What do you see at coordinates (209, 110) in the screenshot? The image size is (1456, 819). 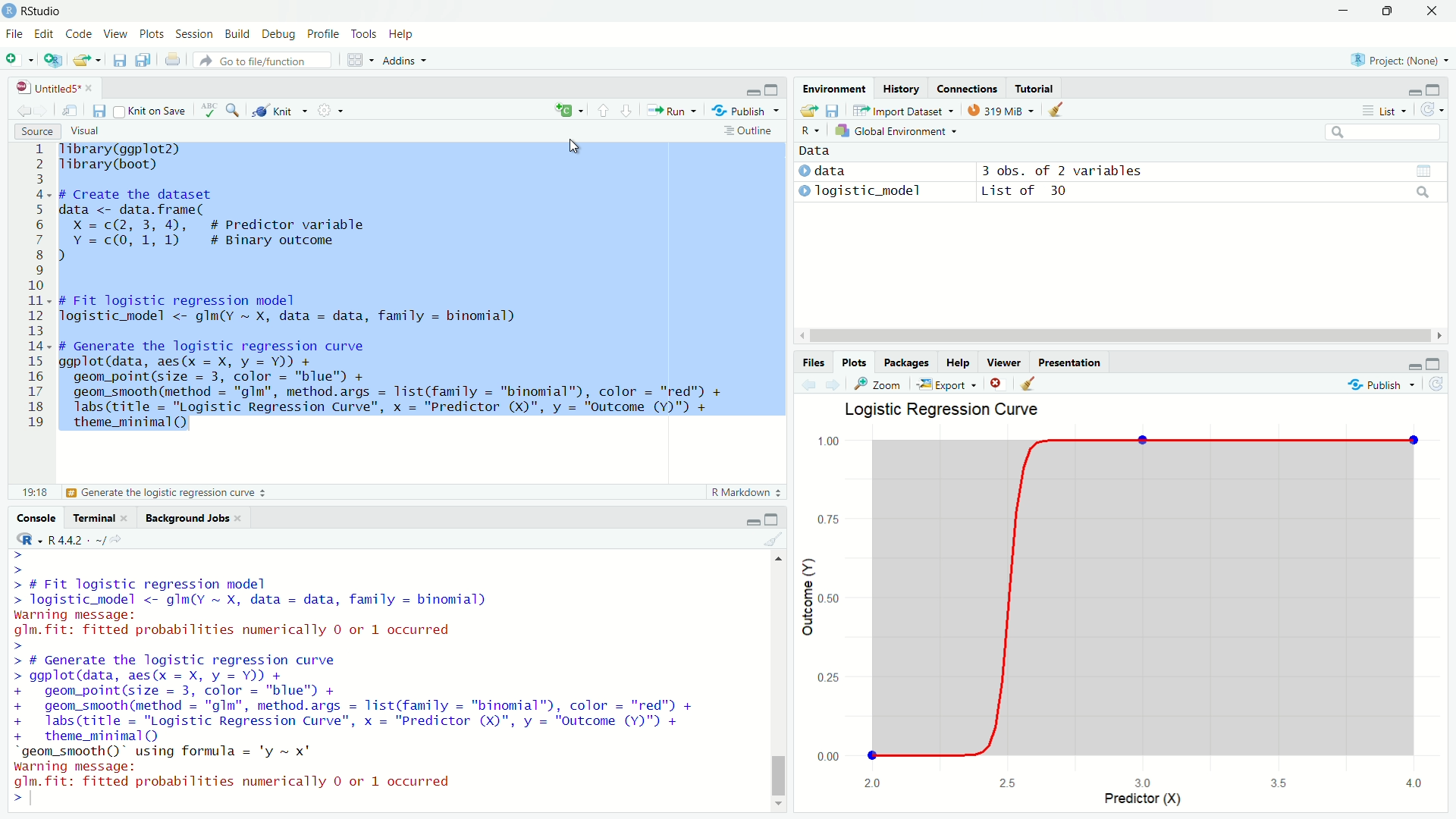 I see `Check spelling in the document` at bounding box center [209, 110].